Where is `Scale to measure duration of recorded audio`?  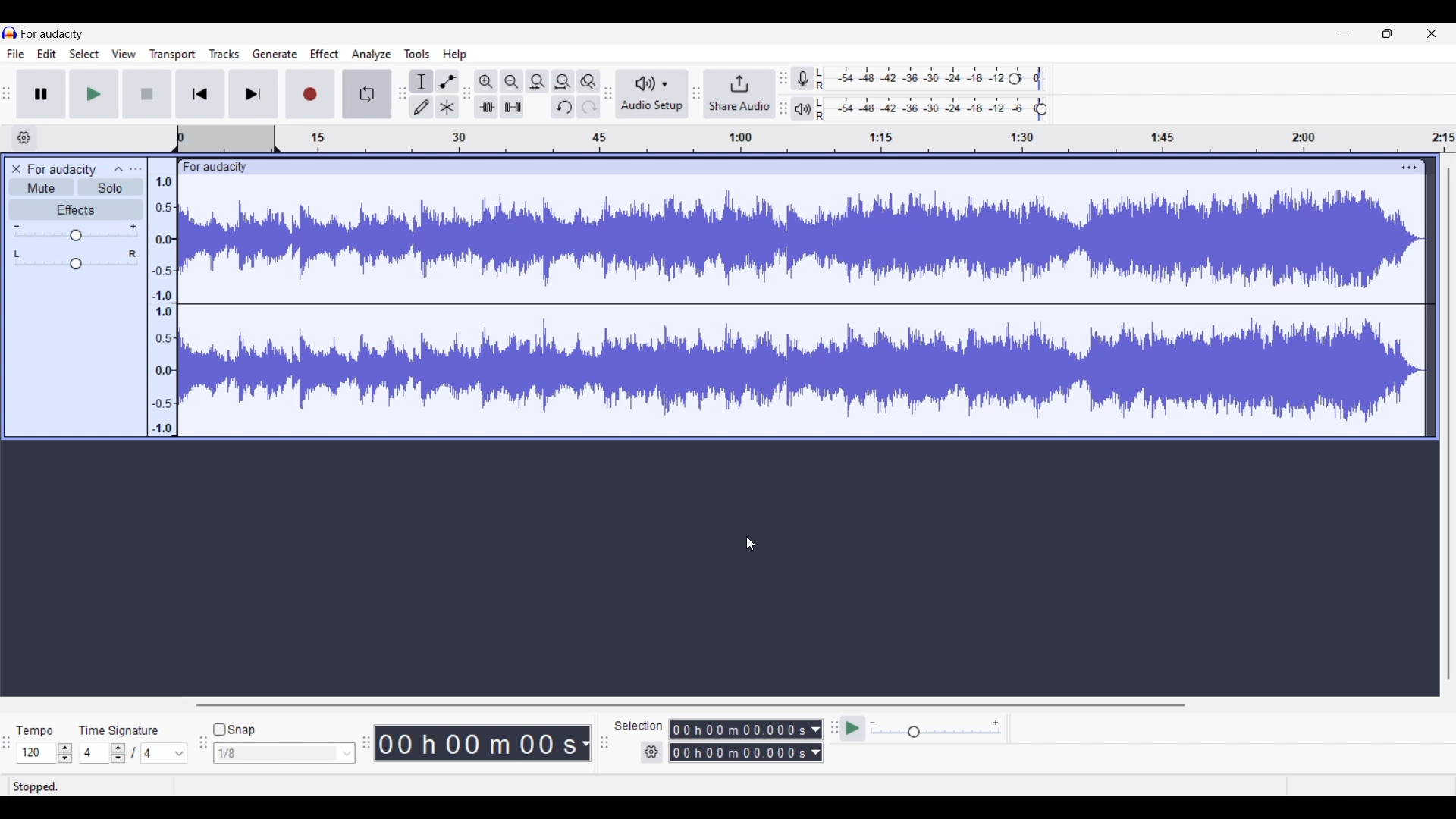 Scale to measure duration of recorded audio is located at coordinates (815, 140).